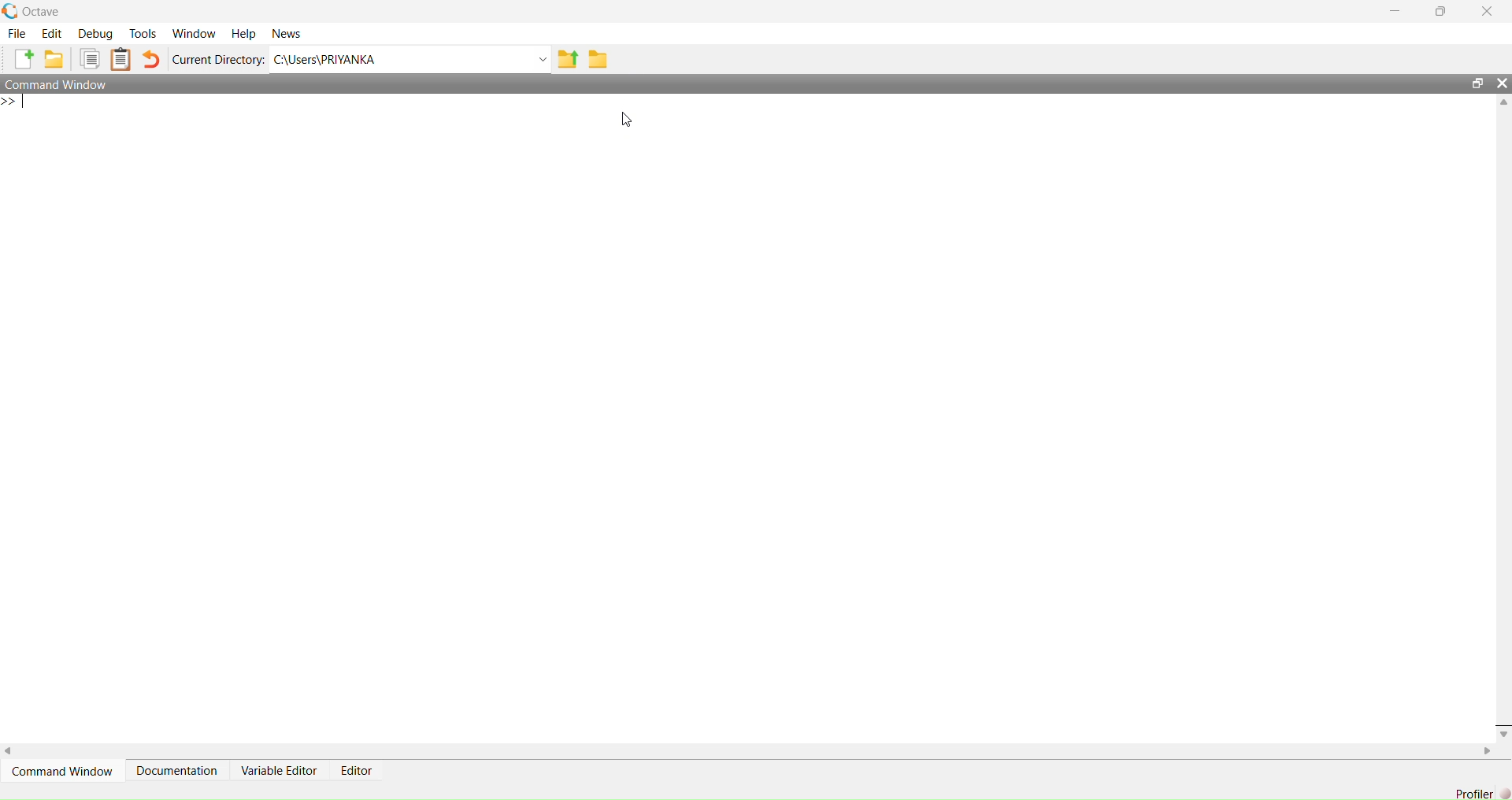 The width and height of the screenshot is (1512, 800). I want to click on Help, so click(242, 35).